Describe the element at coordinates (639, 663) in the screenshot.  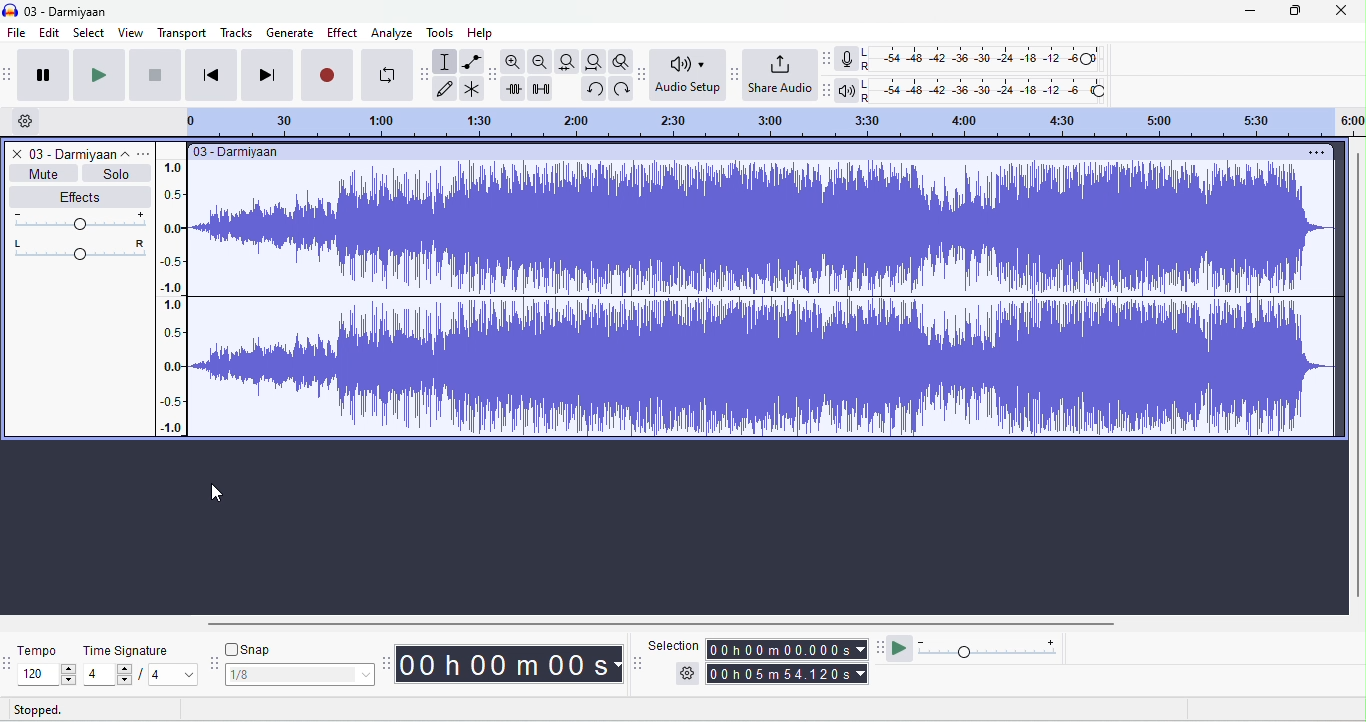
I see `selection tool bar` at that location.